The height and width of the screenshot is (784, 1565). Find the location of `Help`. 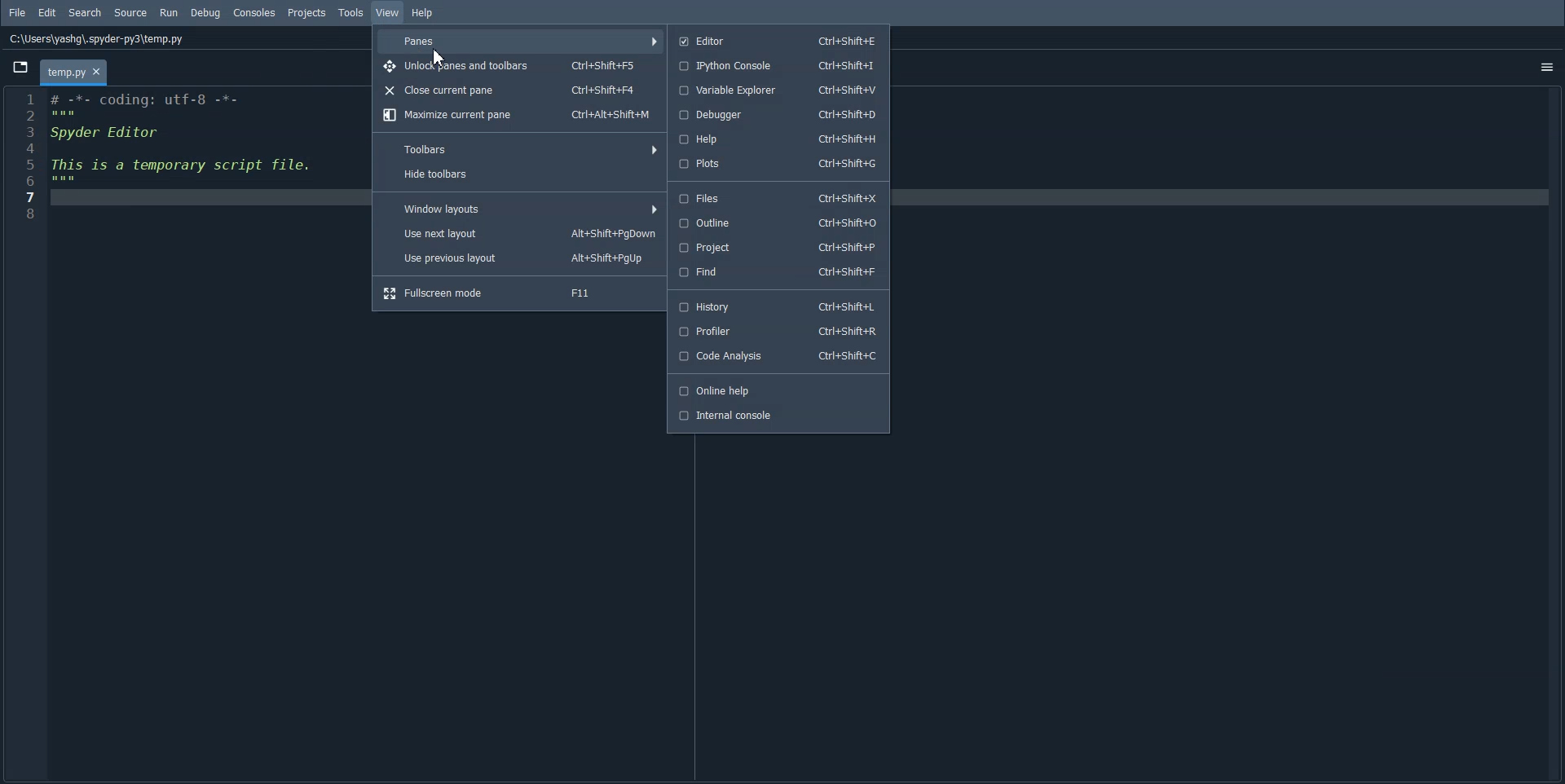

Help is located at coordinates (778, 139).